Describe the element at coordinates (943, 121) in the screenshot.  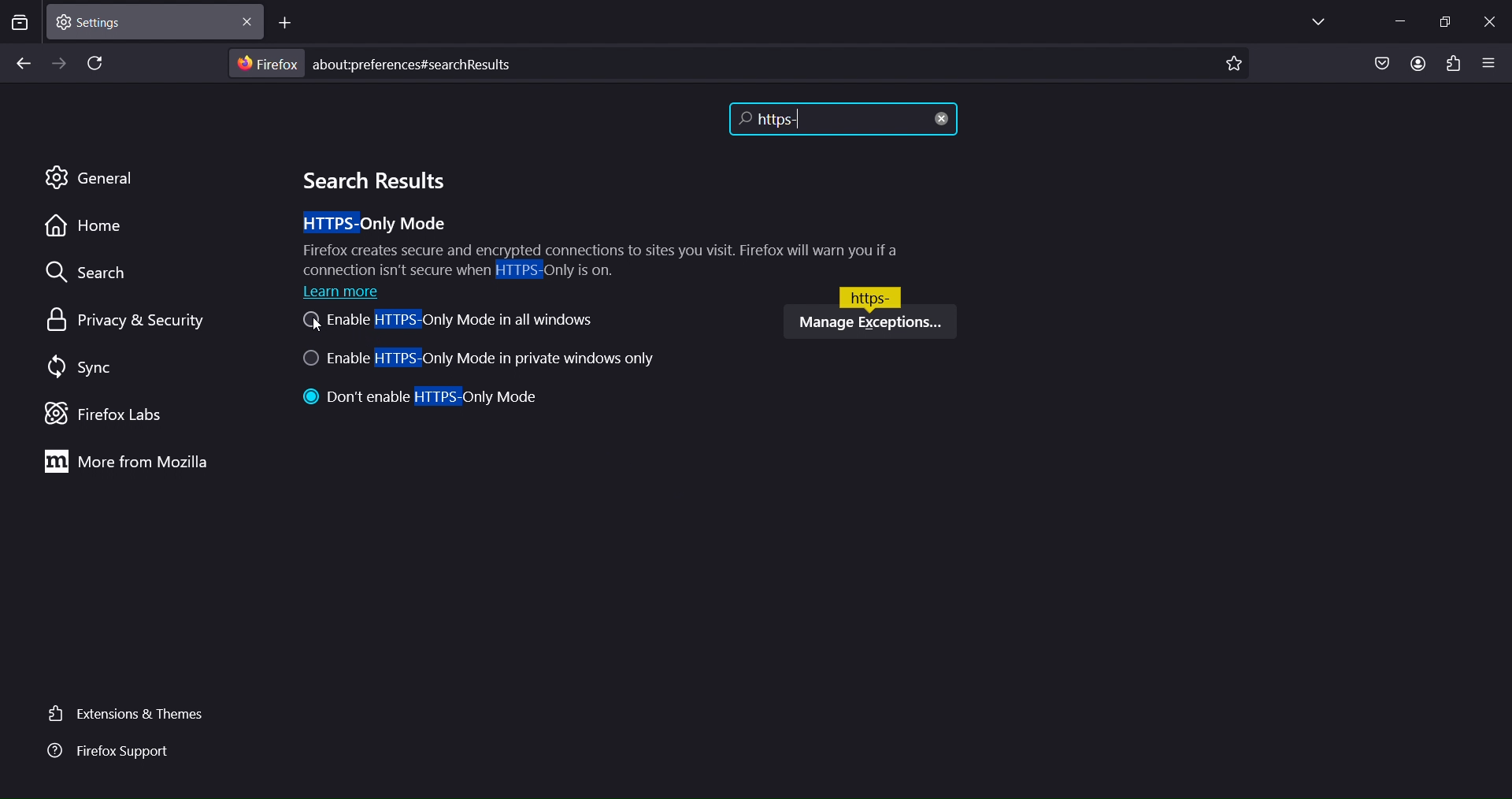
I see `close` at that location.